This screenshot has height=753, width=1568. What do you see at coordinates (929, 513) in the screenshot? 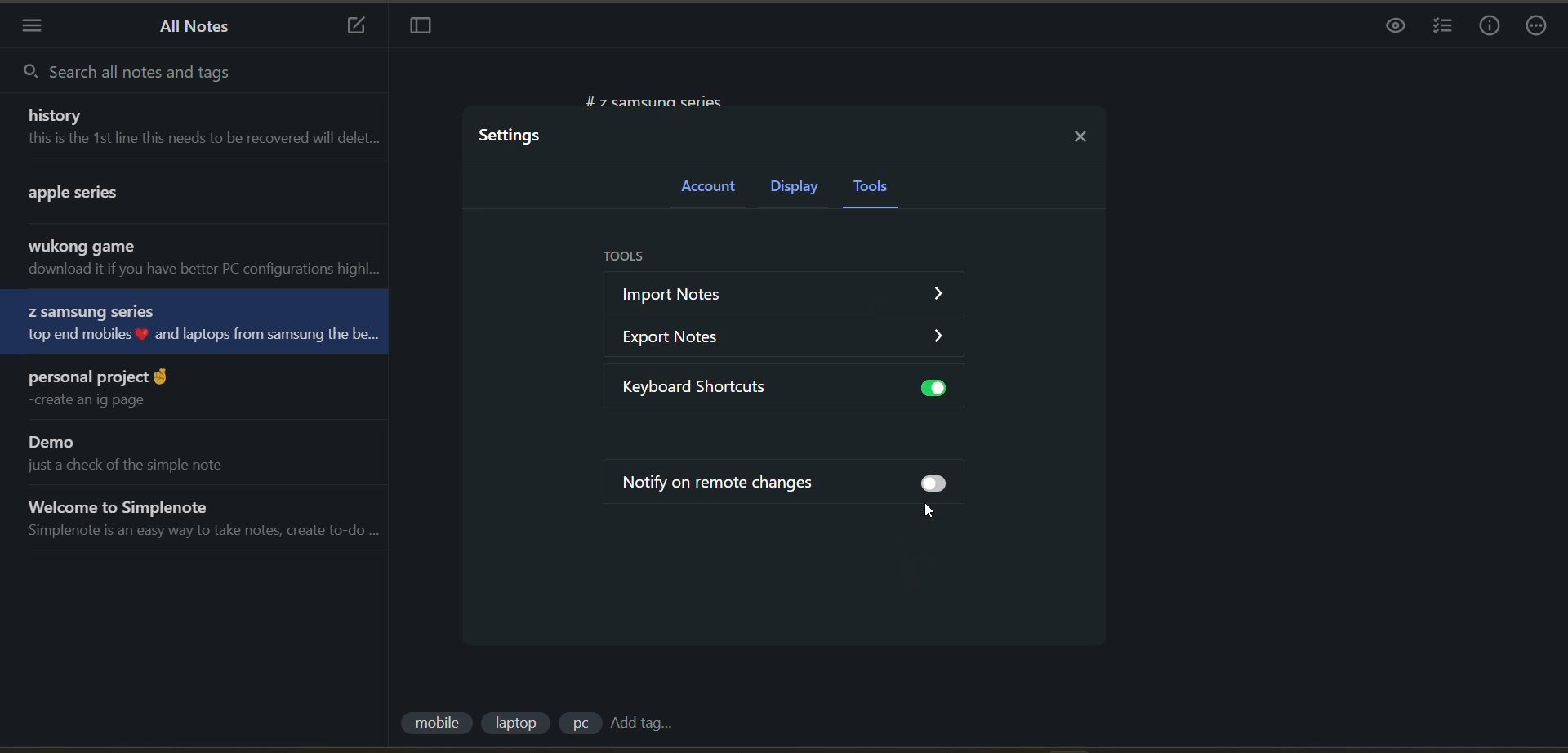
I see `cursor` at bounding box center [929, 513].